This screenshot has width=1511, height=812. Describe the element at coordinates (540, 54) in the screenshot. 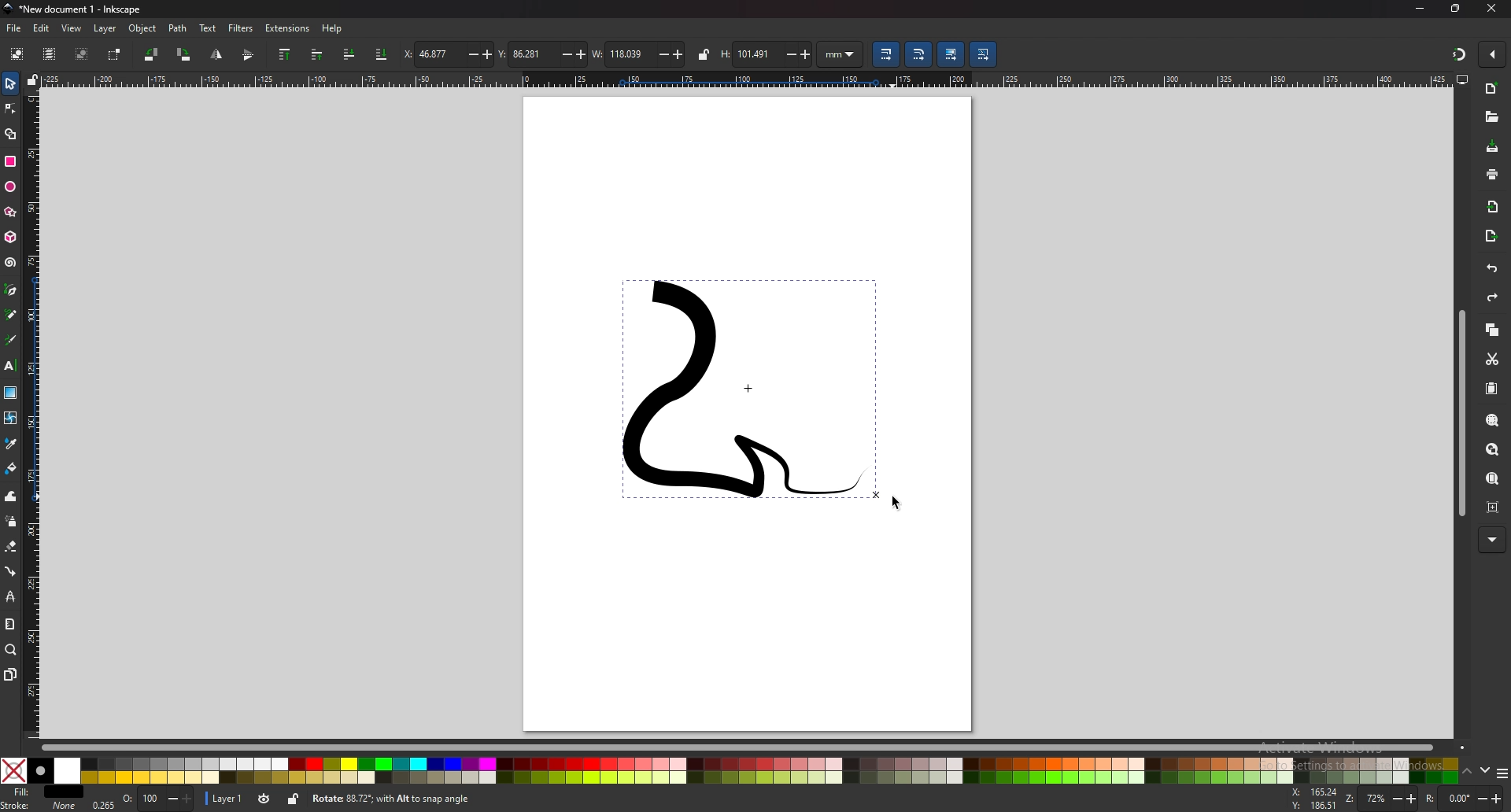

I see `y coordinates` at that location.